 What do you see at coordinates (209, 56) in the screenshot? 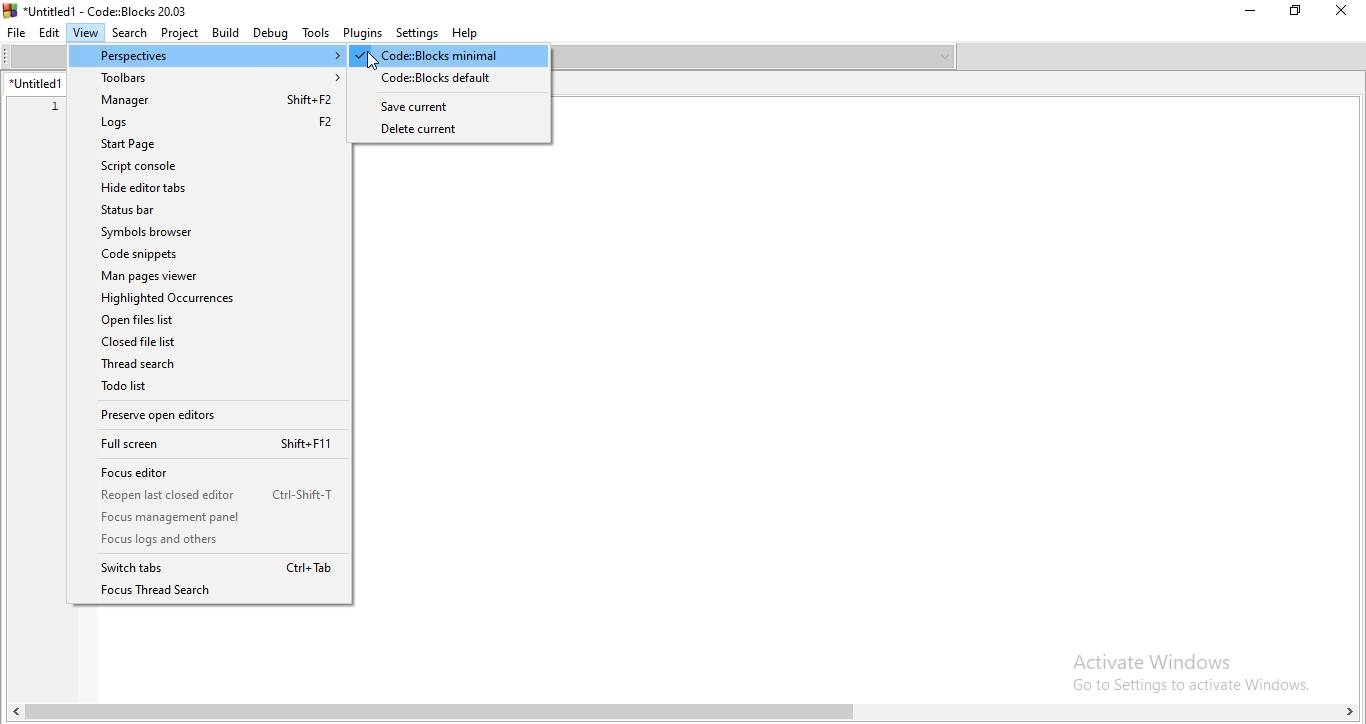
I see `Perspectives` at bounding box center [209, 56].